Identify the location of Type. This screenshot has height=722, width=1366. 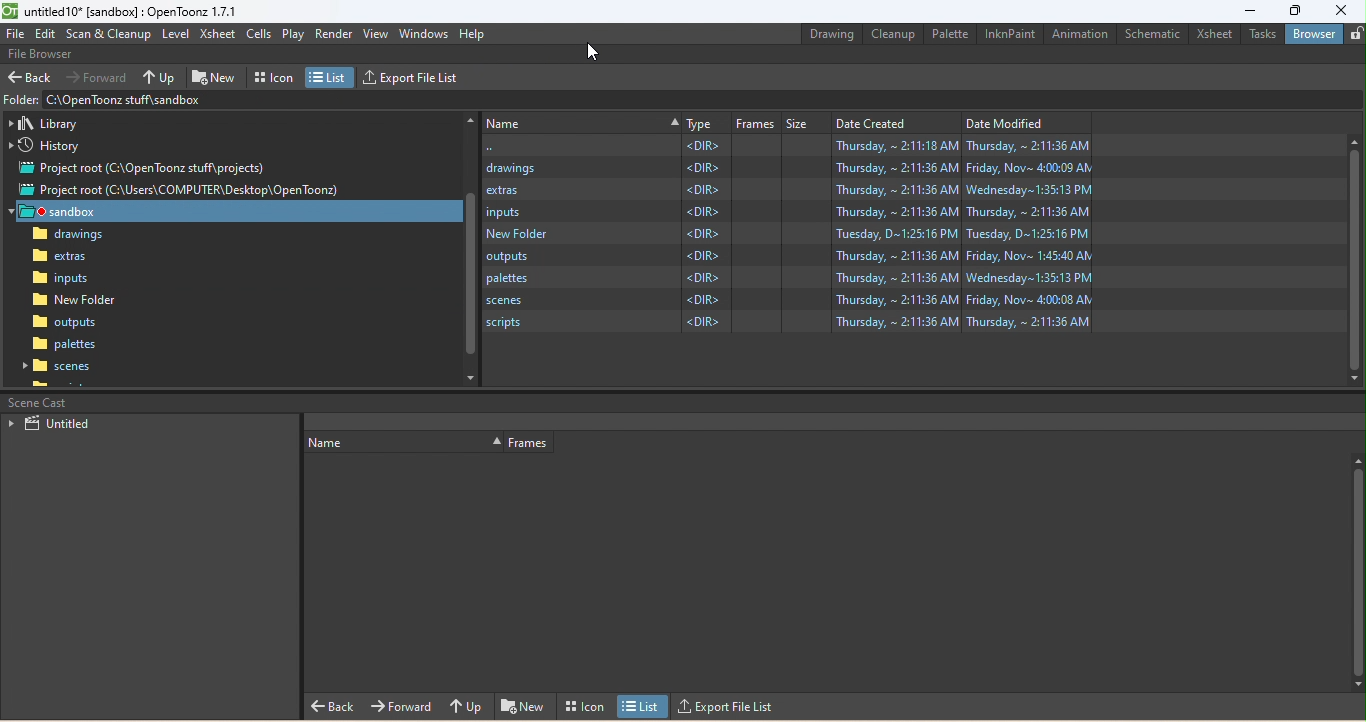
(707, 125).